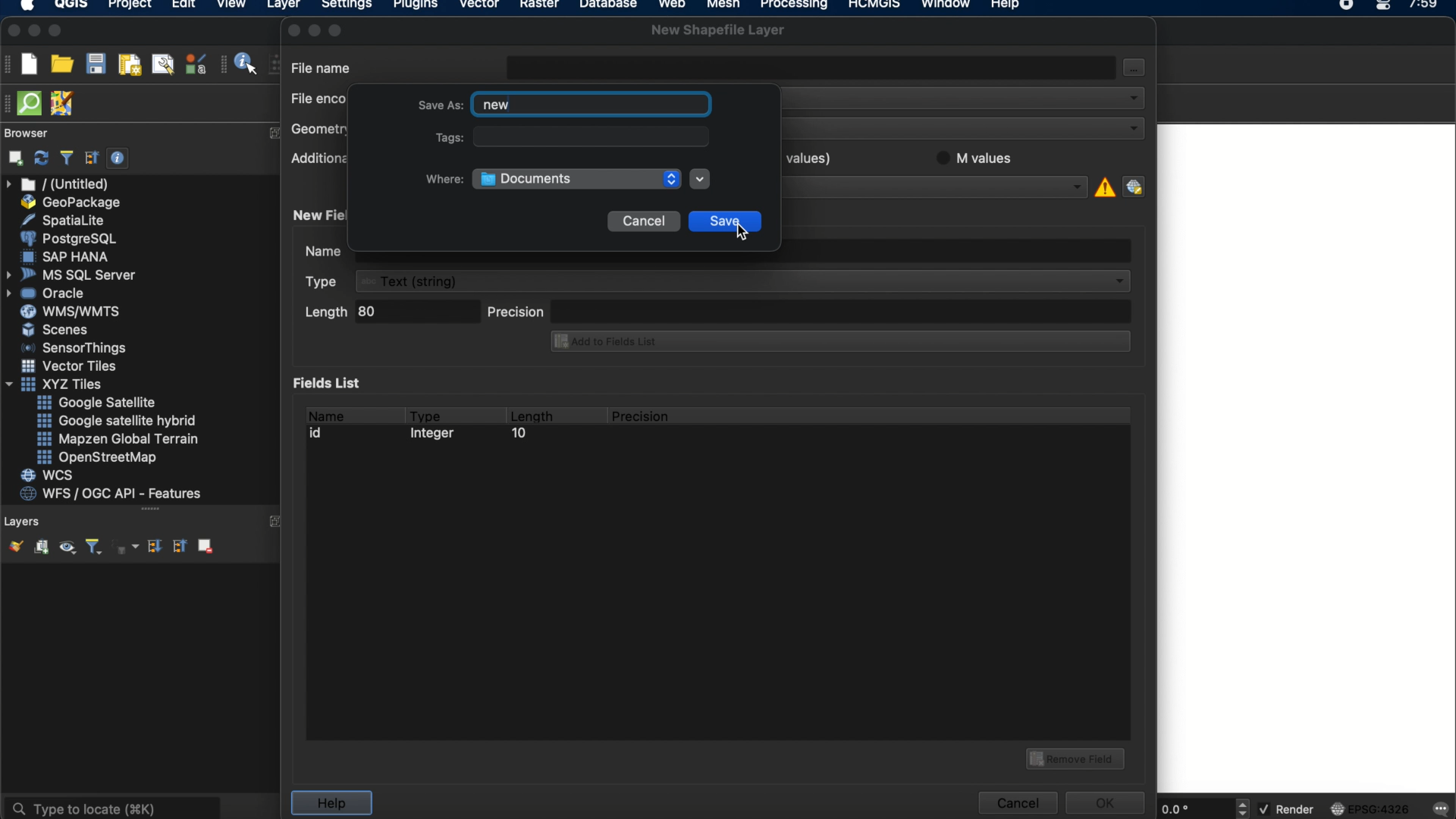  What do you see at coordinates (127, 6) in the screenshot?
I see `project` at bounding box center [127, 6].